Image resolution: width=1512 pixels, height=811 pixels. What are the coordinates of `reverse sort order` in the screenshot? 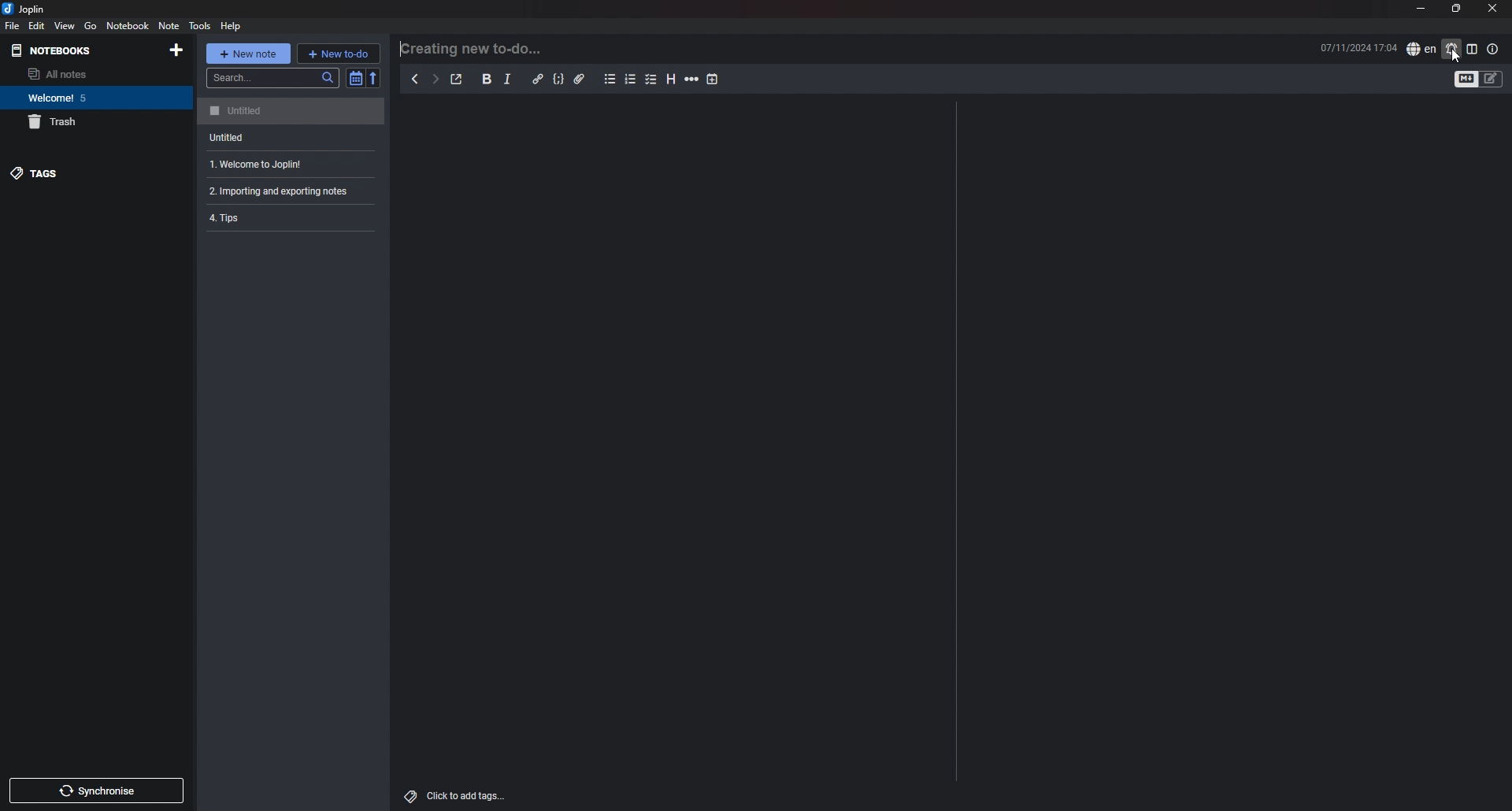 It's located at (374, 78).